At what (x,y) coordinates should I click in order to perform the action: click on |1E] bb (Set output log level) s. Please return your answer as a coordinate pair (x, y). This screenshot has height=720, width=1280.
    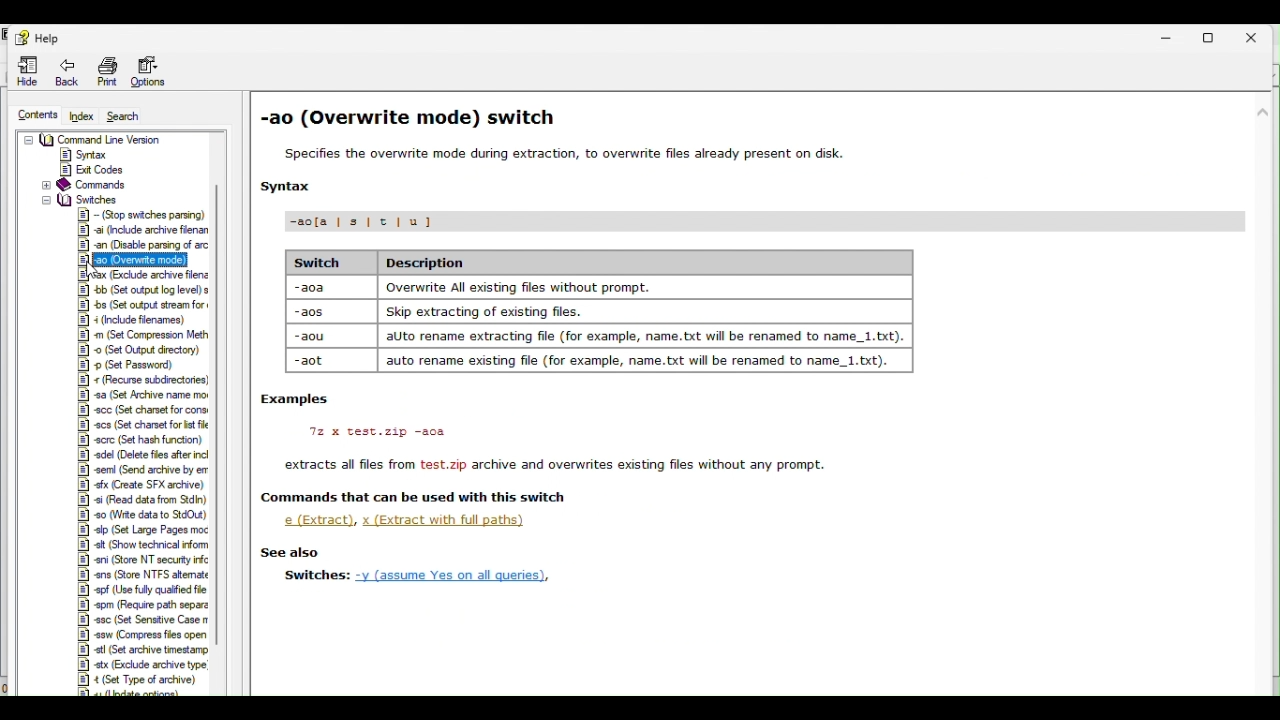
    Looking at the image, I should click on (137, 289).